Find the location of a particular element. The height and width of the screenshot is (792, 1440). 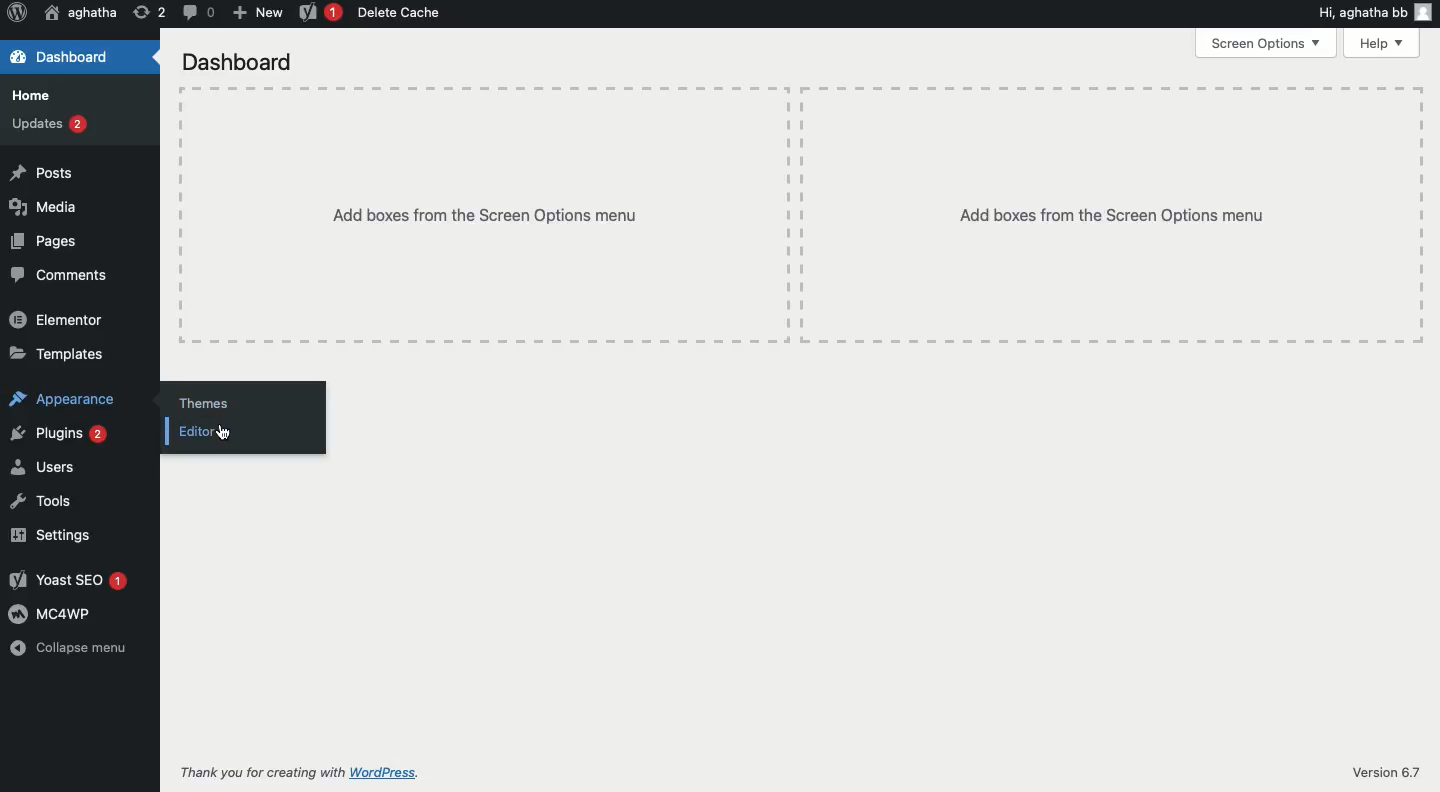

Hi user is located at coordinates (1377, 11).